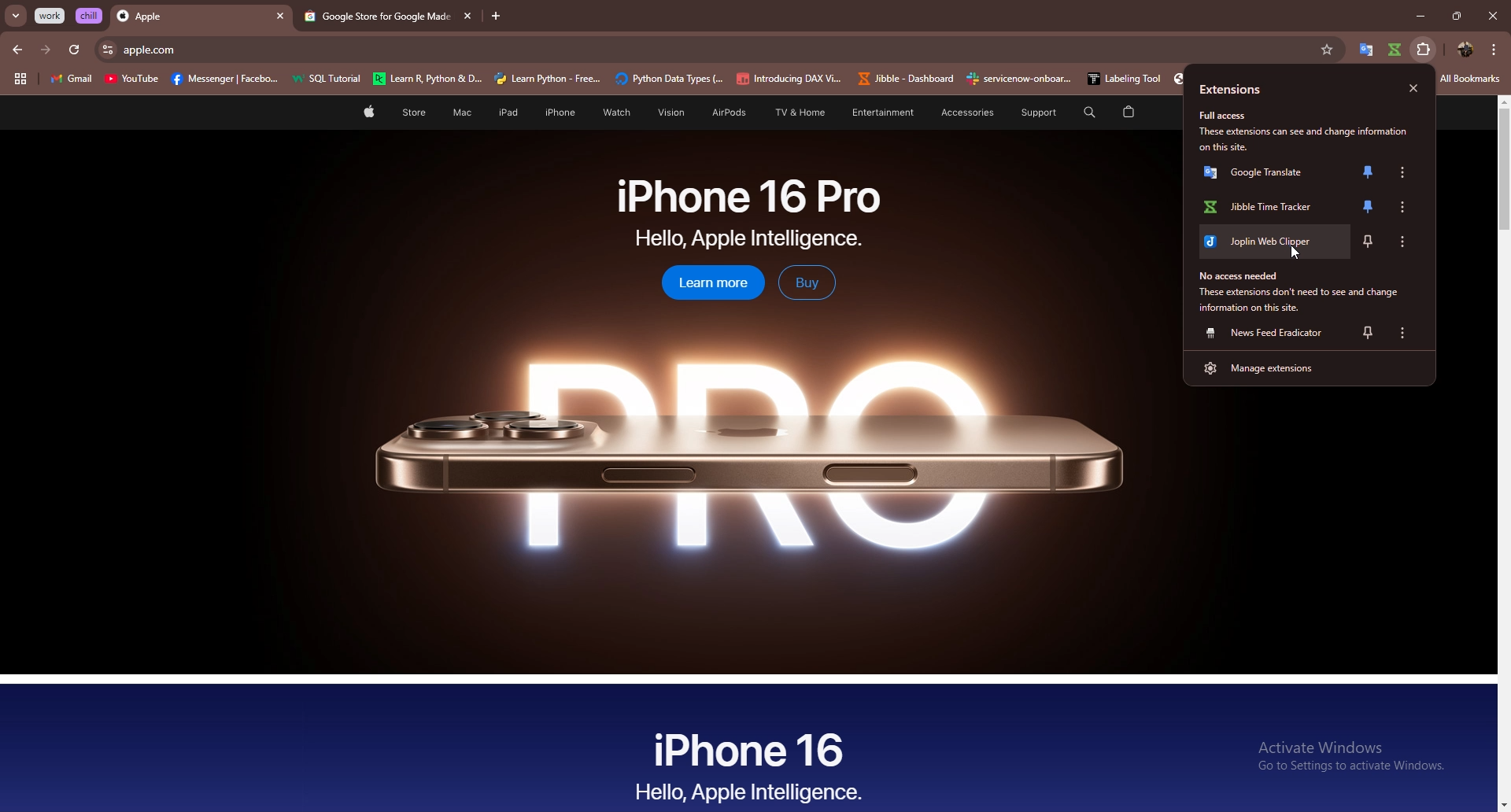 The image size is (1511, 812). I want to click on close tab, so click(280, 17).